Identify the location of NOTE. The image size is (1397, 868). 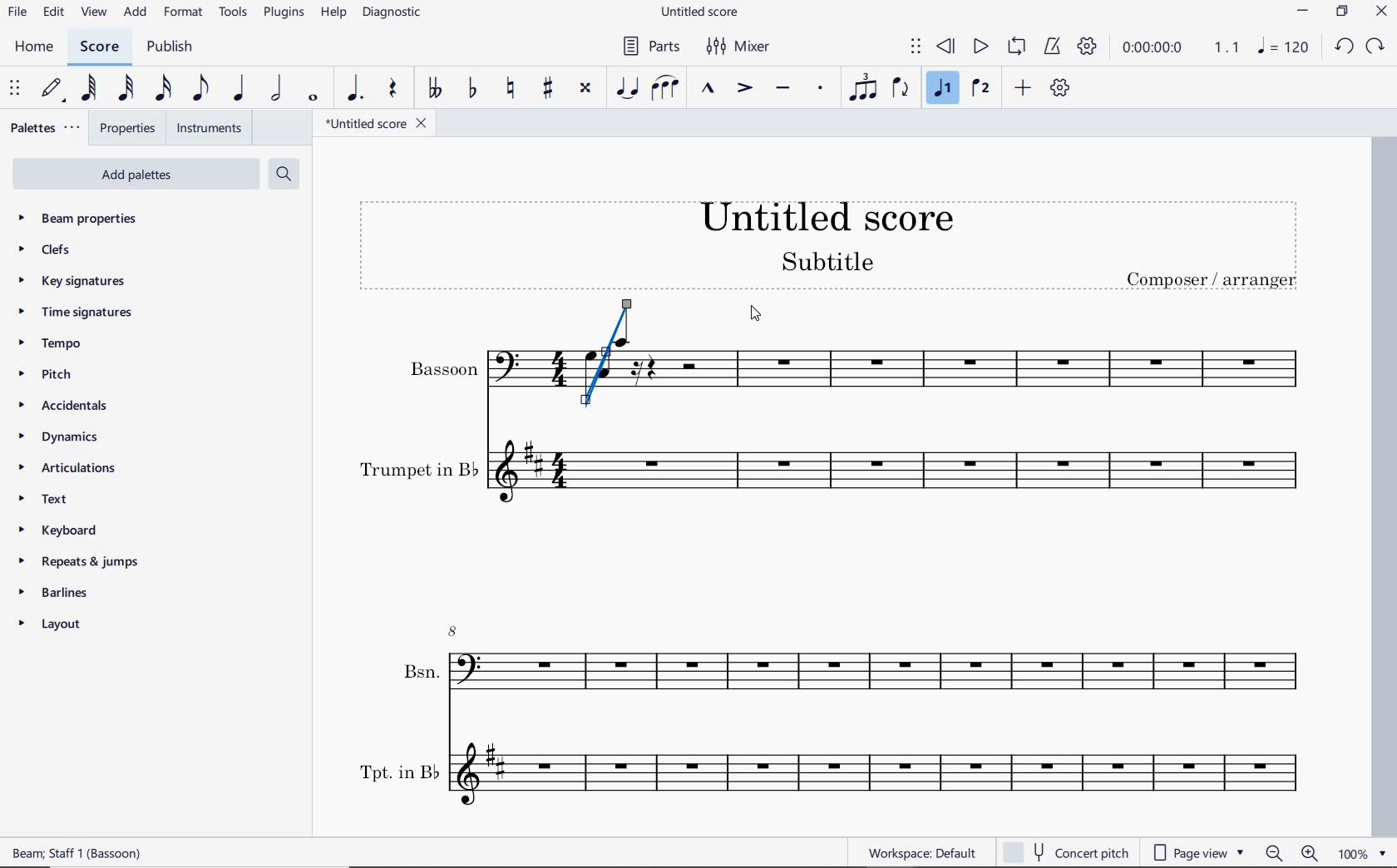
(1284, 47).